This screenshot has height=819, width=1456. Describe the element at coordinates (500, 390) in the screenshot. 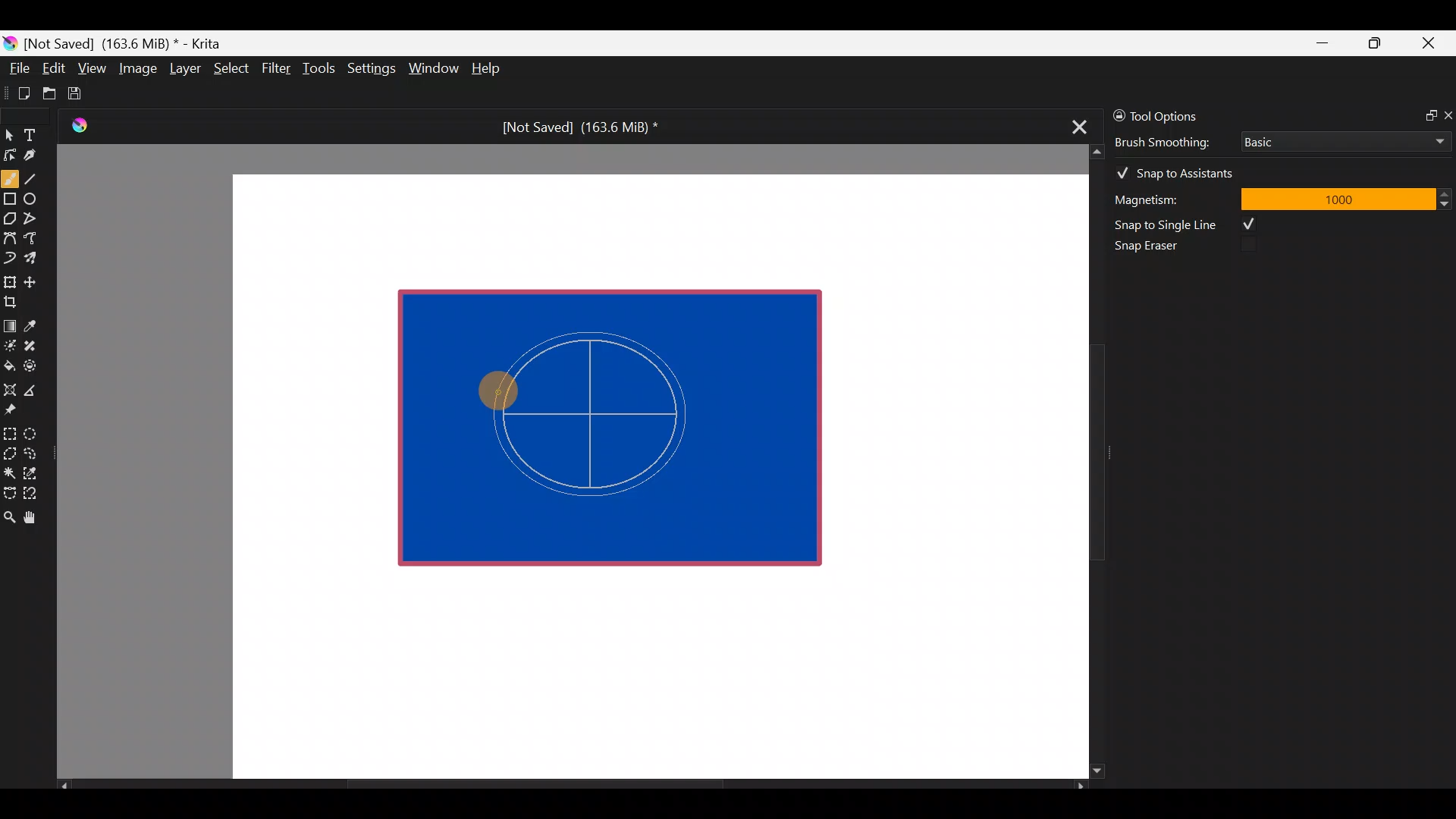

I see `Cursor` at that location.